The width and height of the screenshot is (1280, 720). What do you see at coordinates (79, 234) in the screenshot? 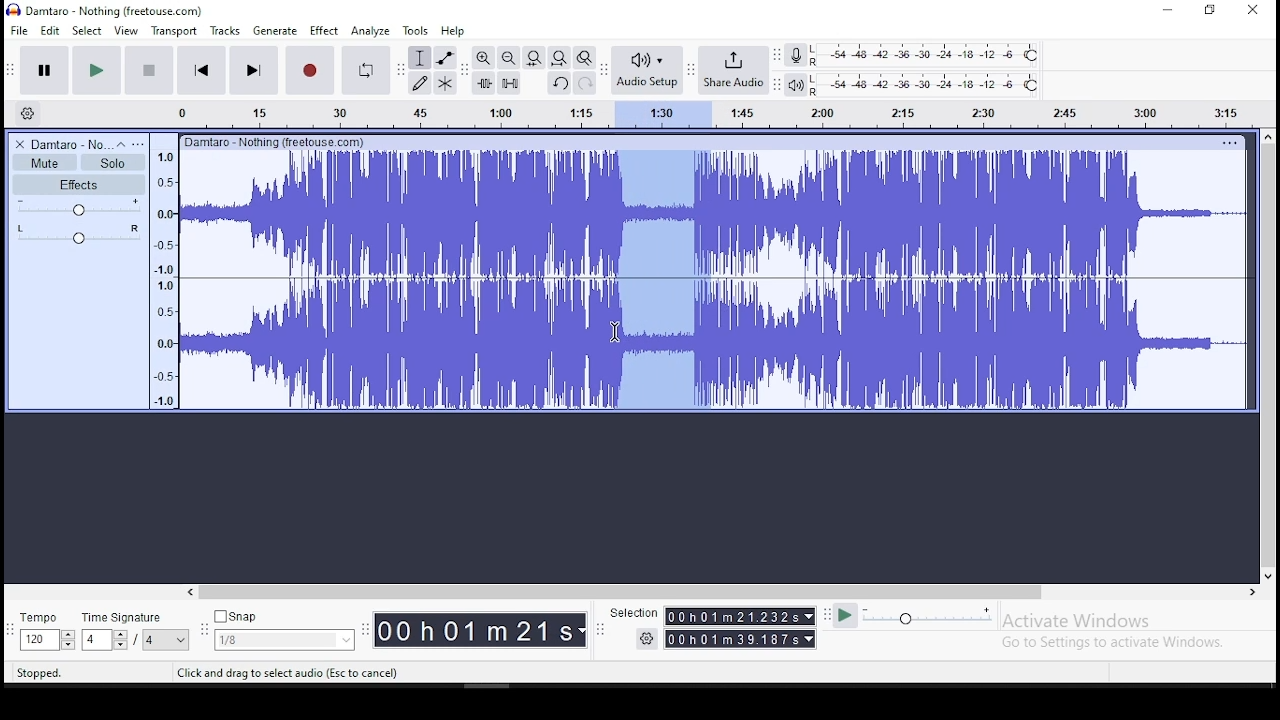
I see `pan` at bounding box center [79, 234].